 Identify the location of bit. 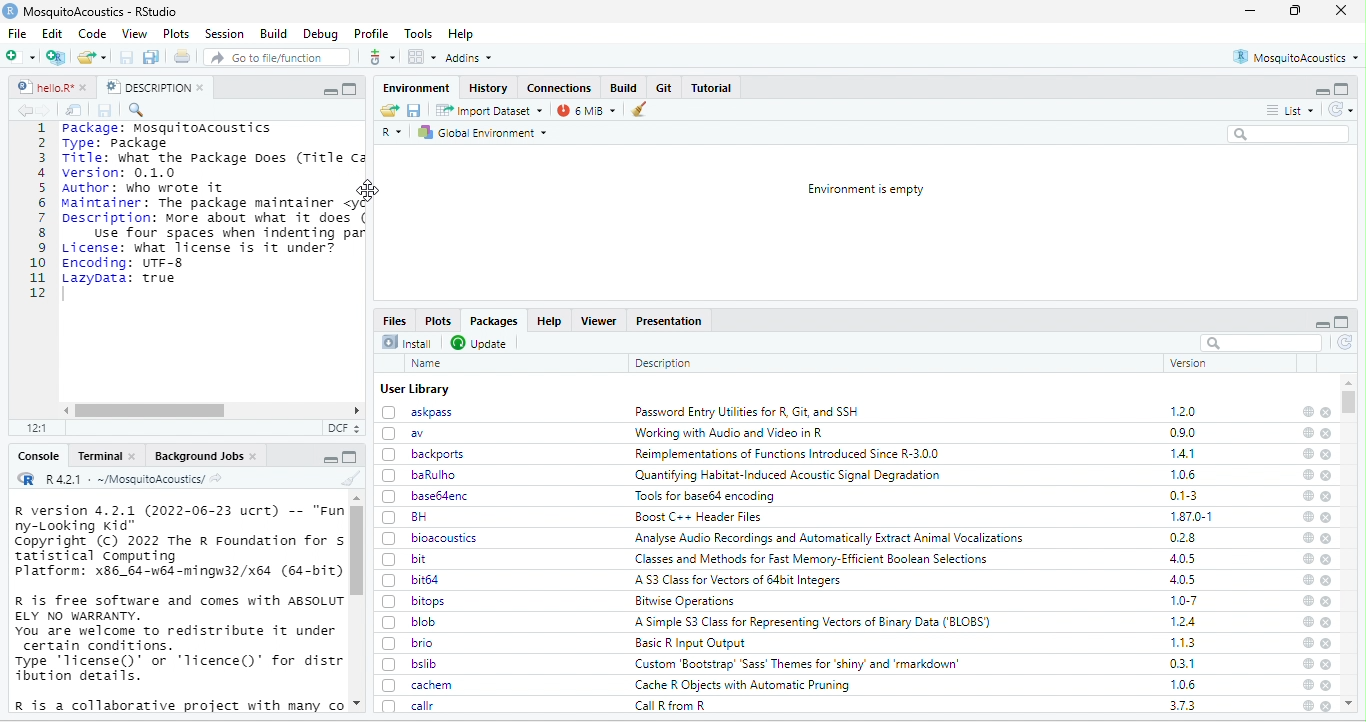
(407, 559).